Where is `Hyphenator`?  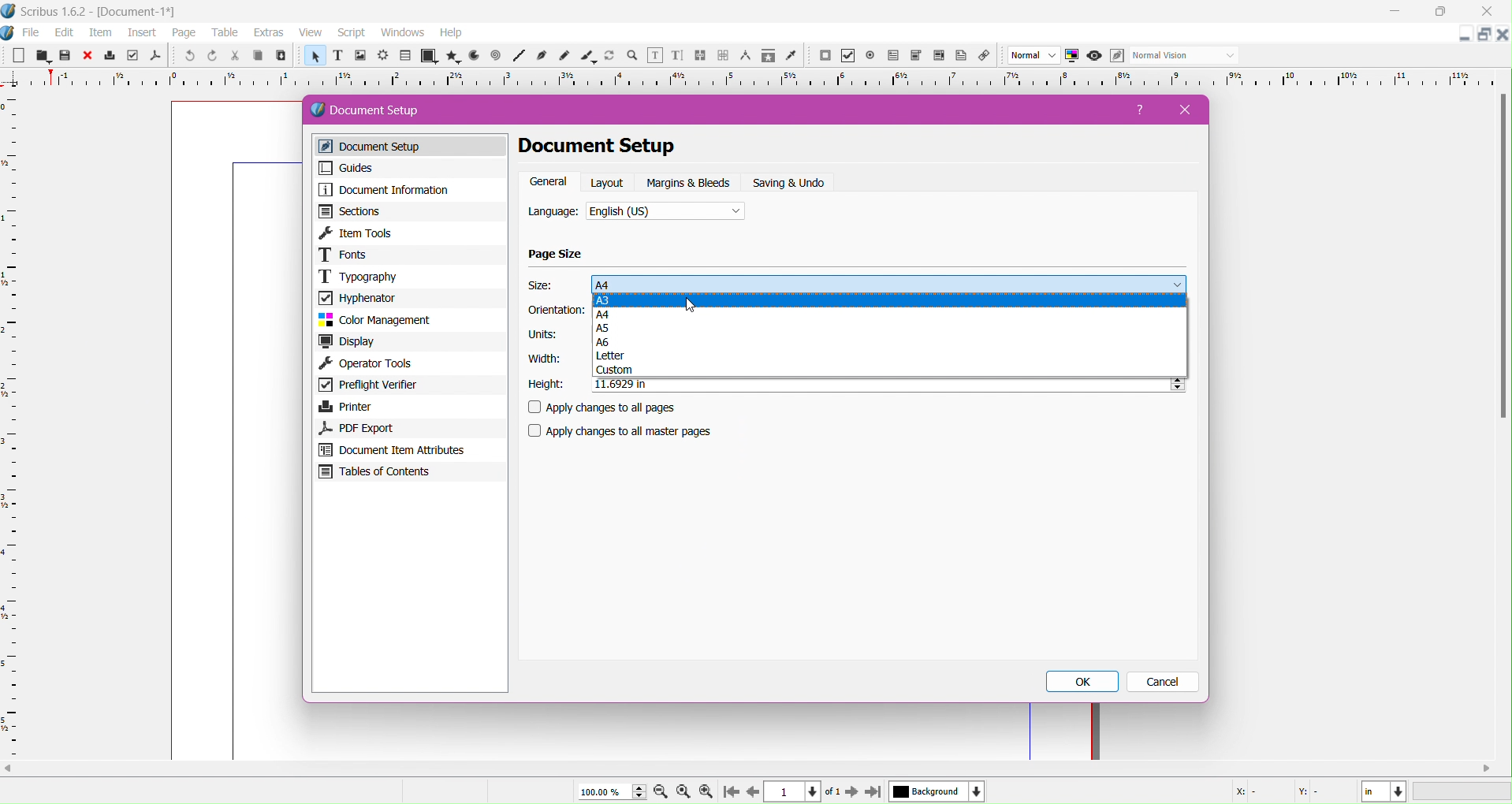
Hyphenator is located at coordinates (409, 297).